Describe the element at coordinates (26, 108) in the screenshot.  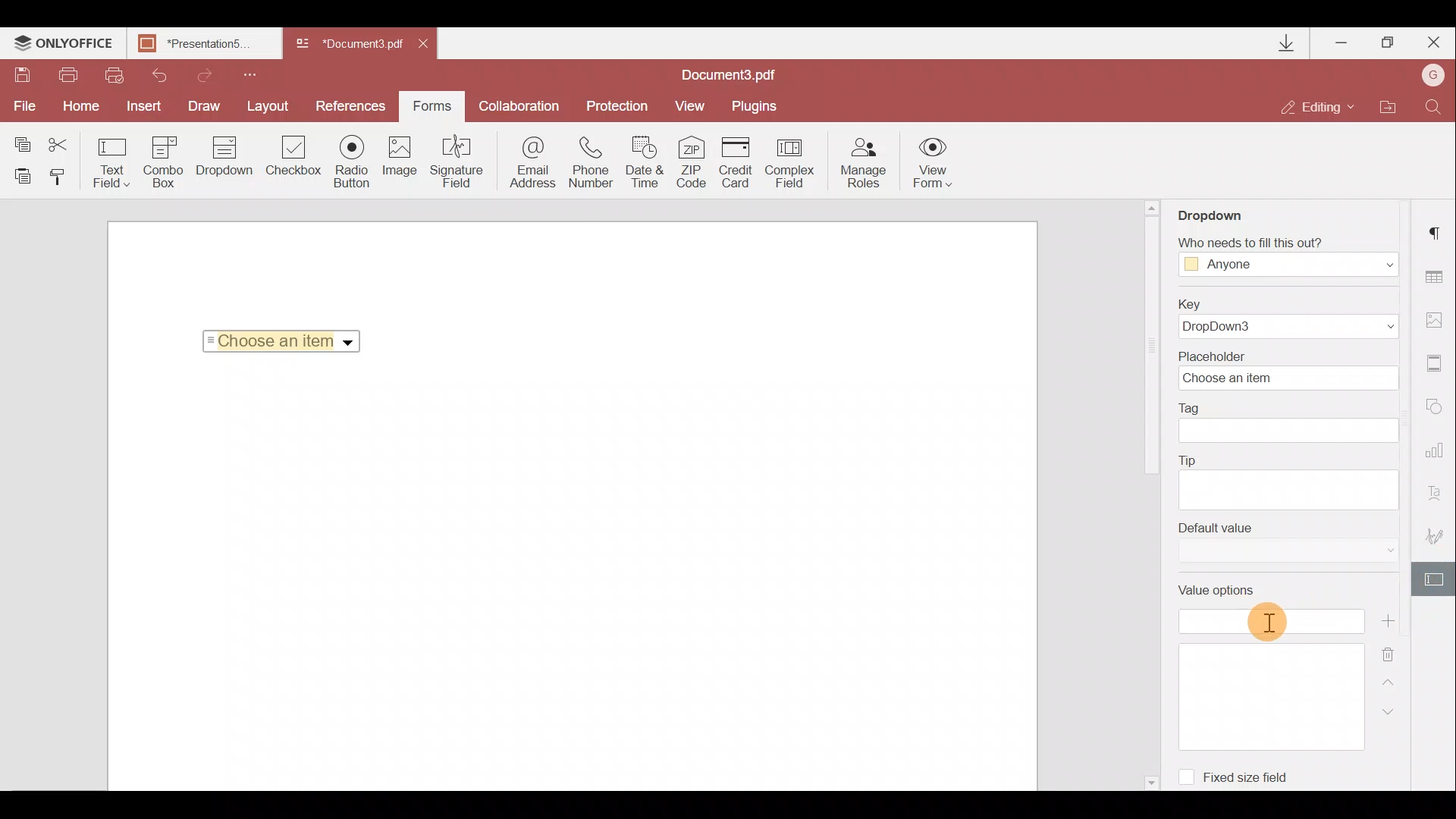
I see `File` at that location.